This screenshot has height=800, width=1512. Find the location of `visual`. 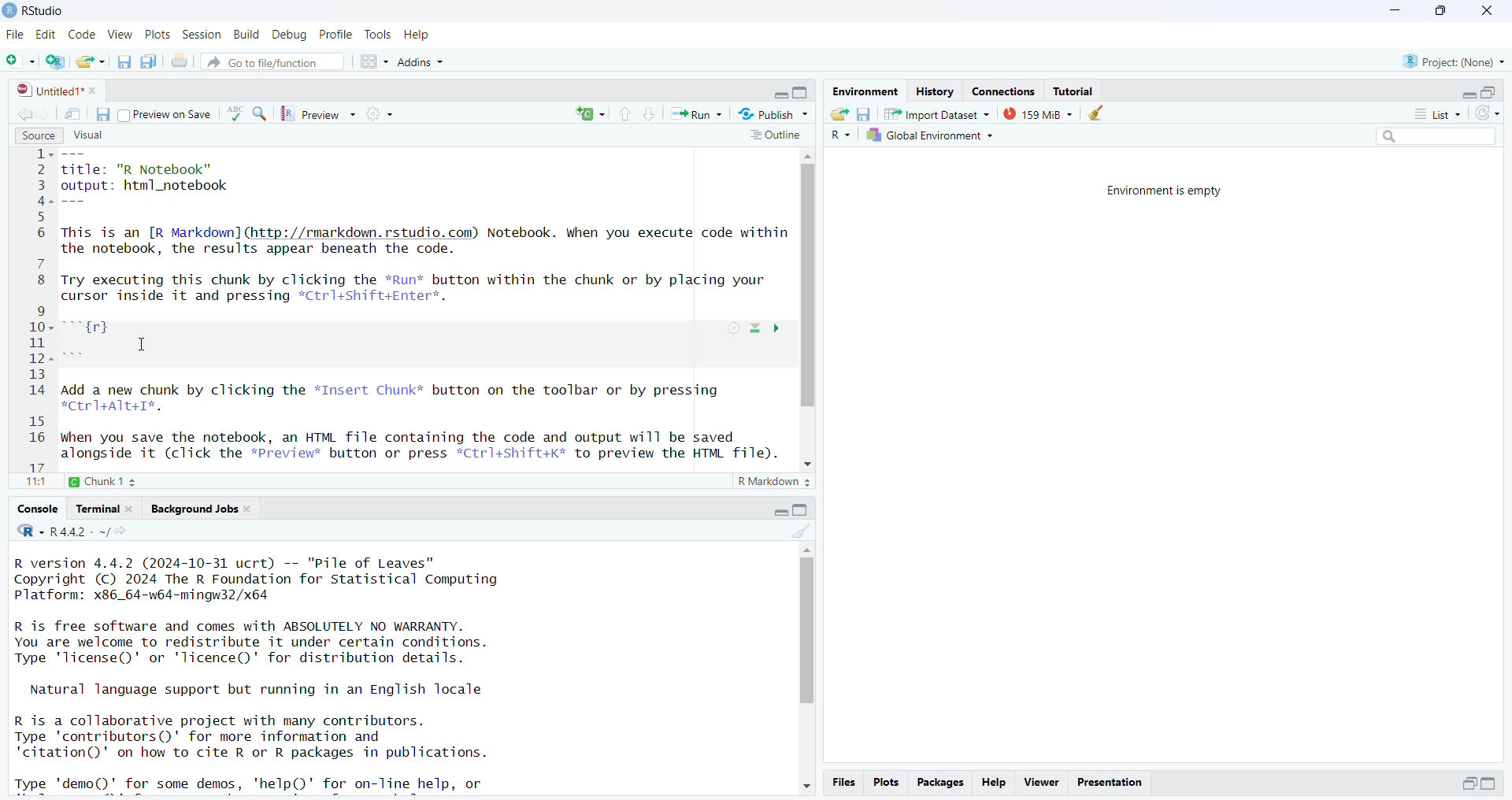

visual is located at coordinates (87, 134).